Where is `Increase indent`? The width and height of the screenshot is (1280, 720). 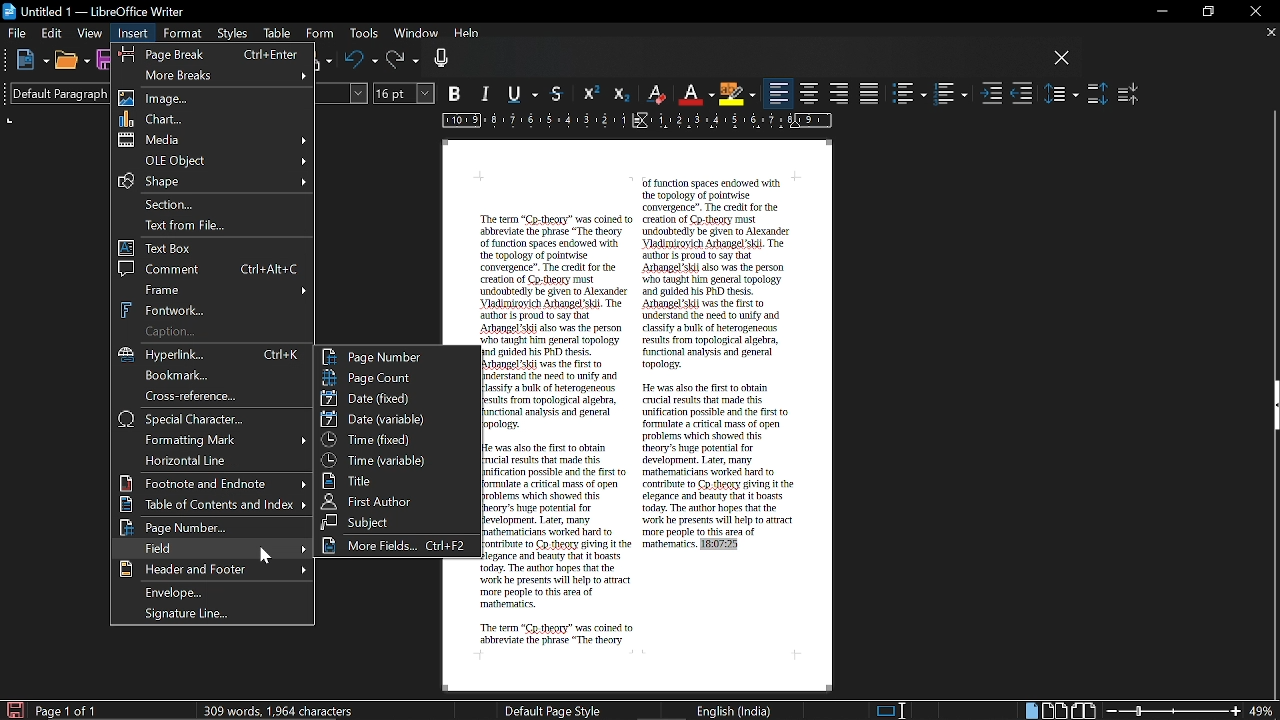
Increase indent is located at coordinates (992, 95).